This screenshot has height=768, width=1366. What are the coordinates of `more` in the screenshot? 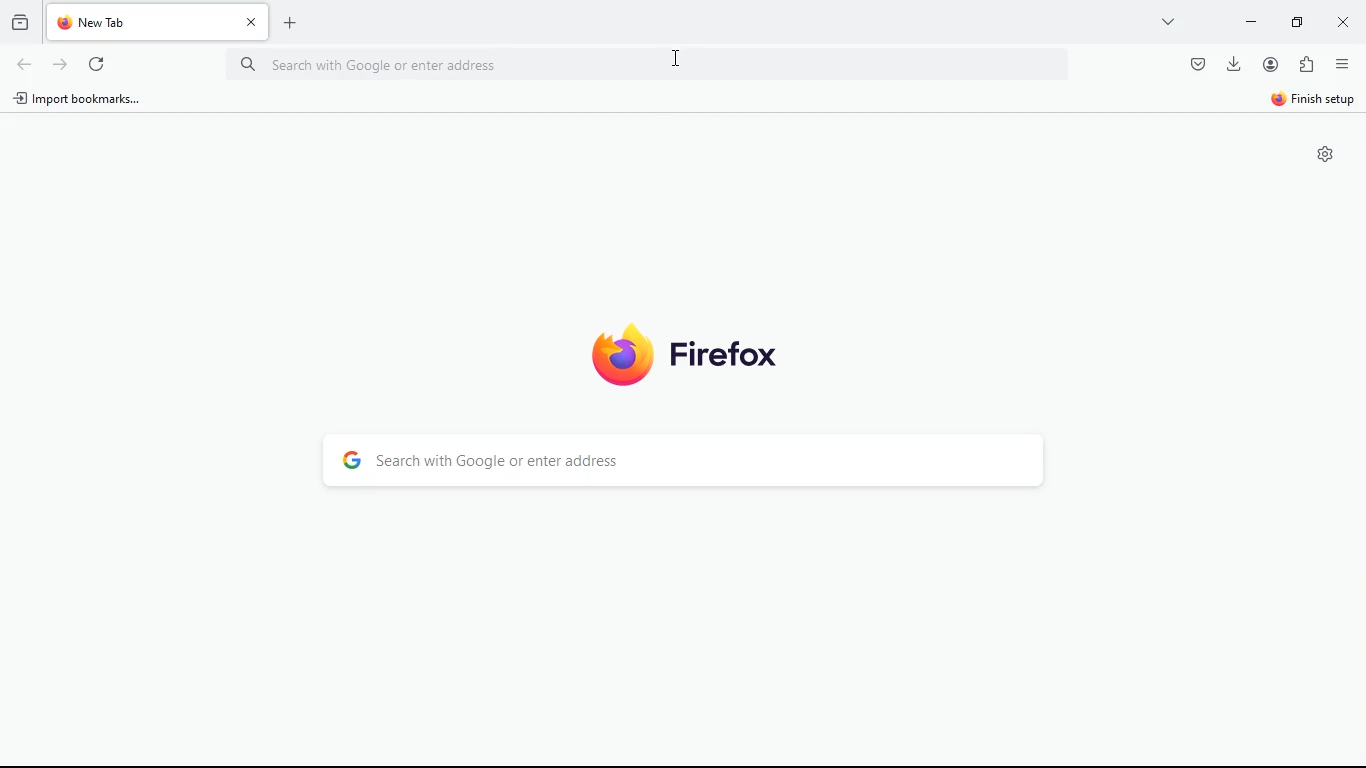 It's located at (1166, 22).